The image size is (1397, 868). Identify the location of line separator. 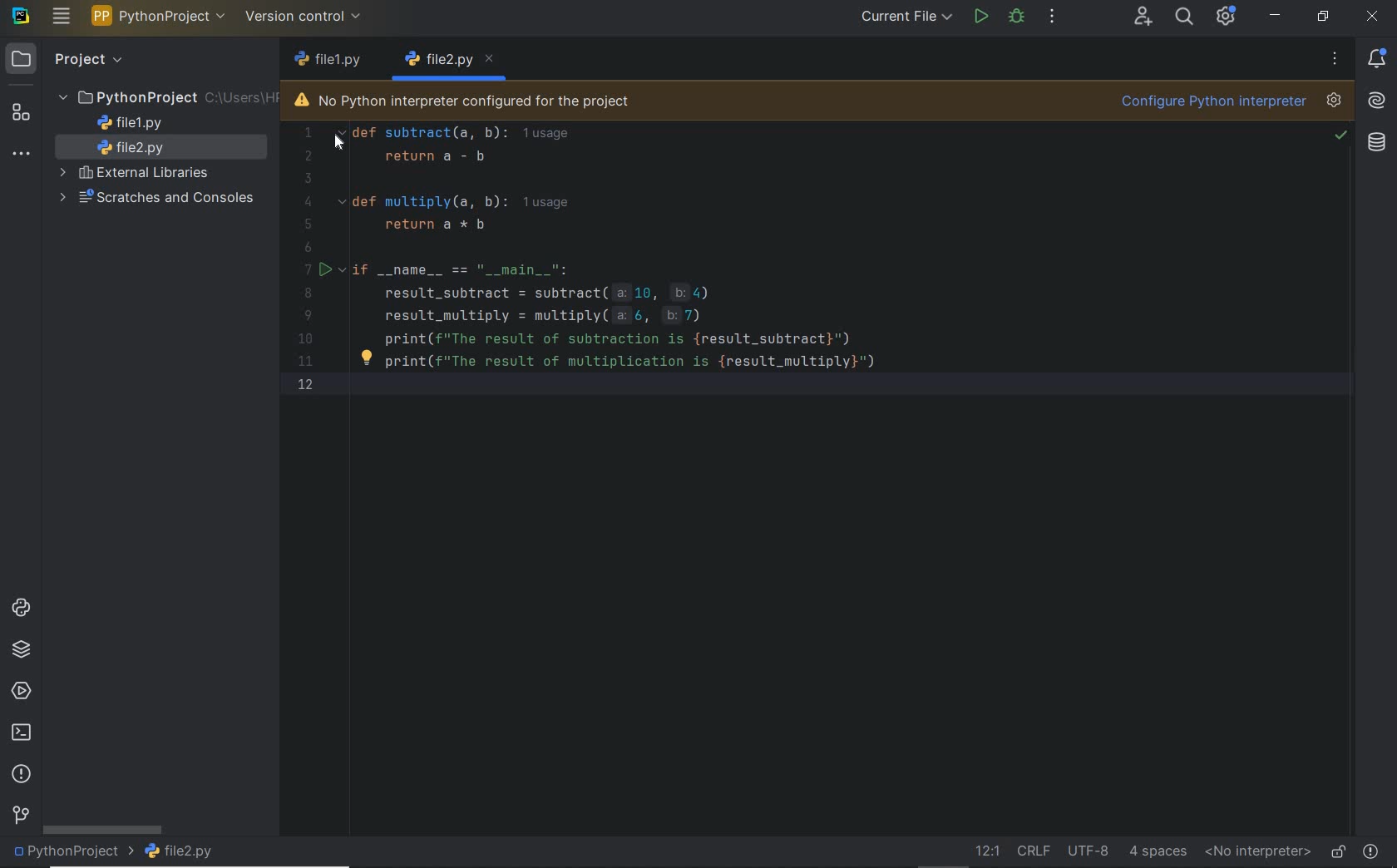
(1034, 851).